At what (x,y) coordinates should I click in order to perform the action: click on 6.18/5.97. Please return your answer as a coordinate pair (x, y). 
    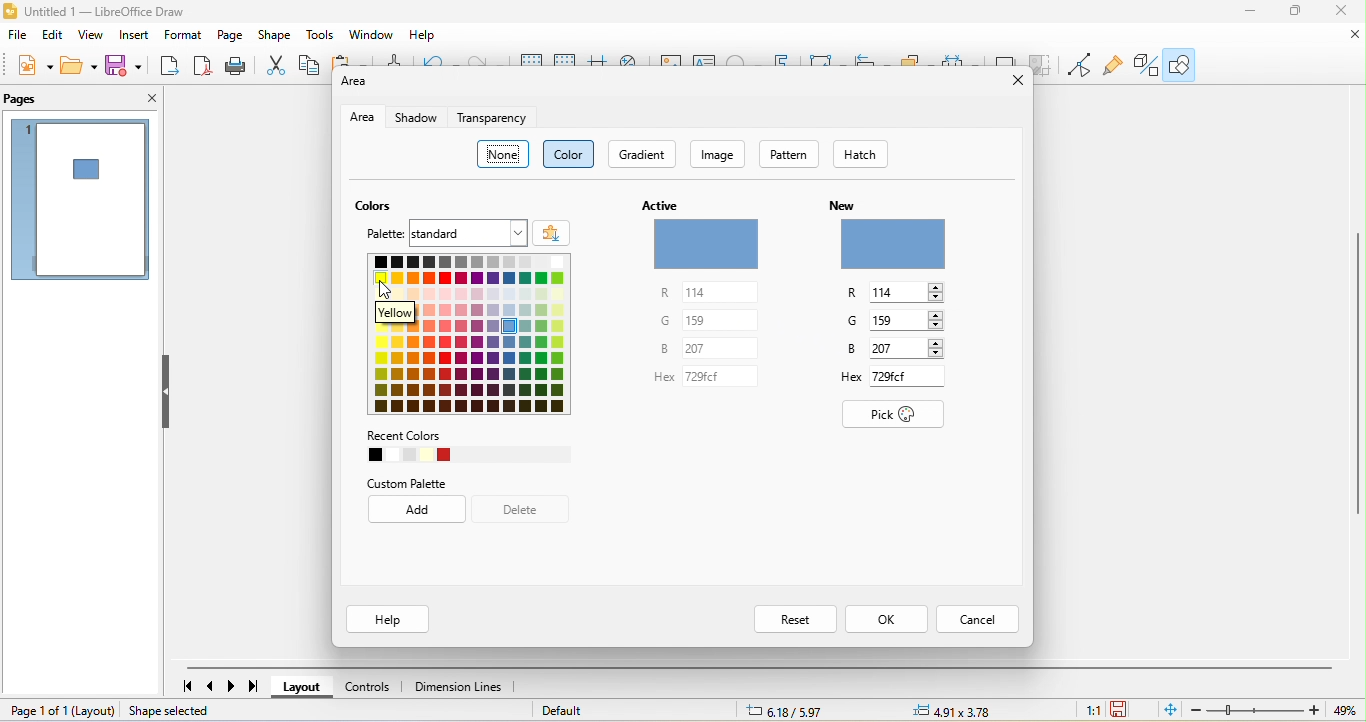
    Looking at the image, I should click on (780, 712).